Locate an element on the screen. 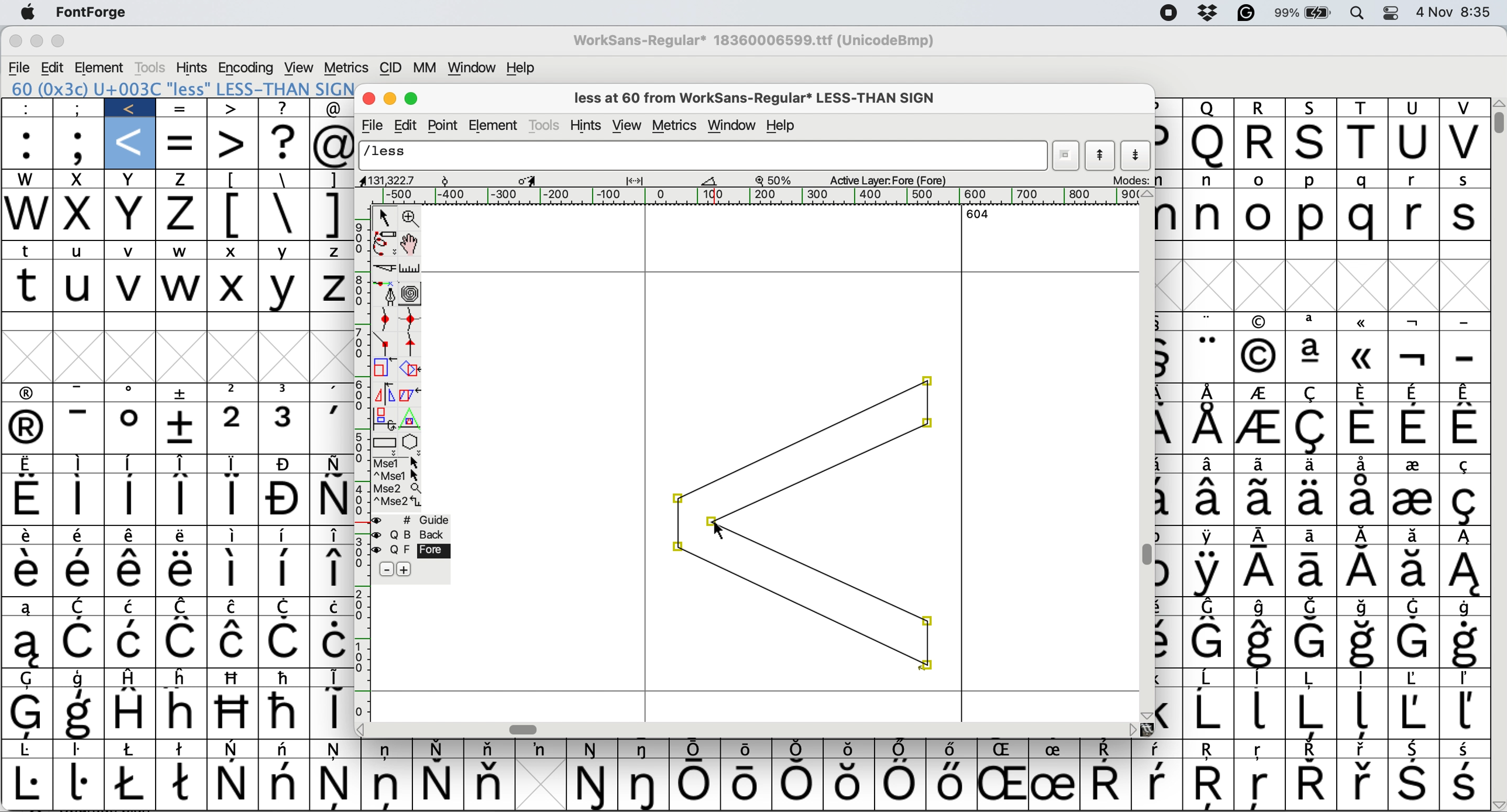  Symbol is located at coordinates (1312, 357).